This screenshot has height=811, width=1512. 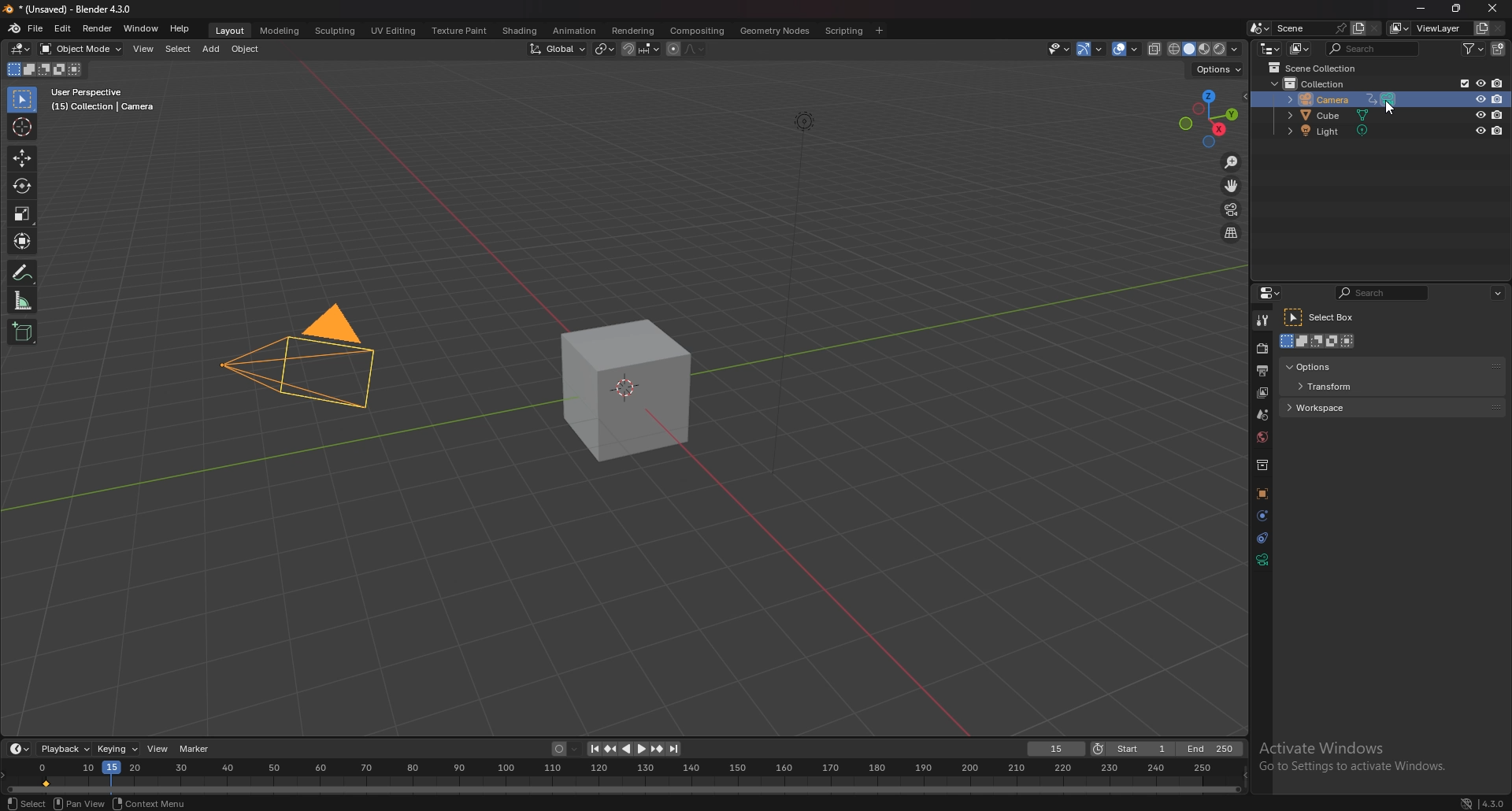 I want to click on start, so click(x=1132, y=750).